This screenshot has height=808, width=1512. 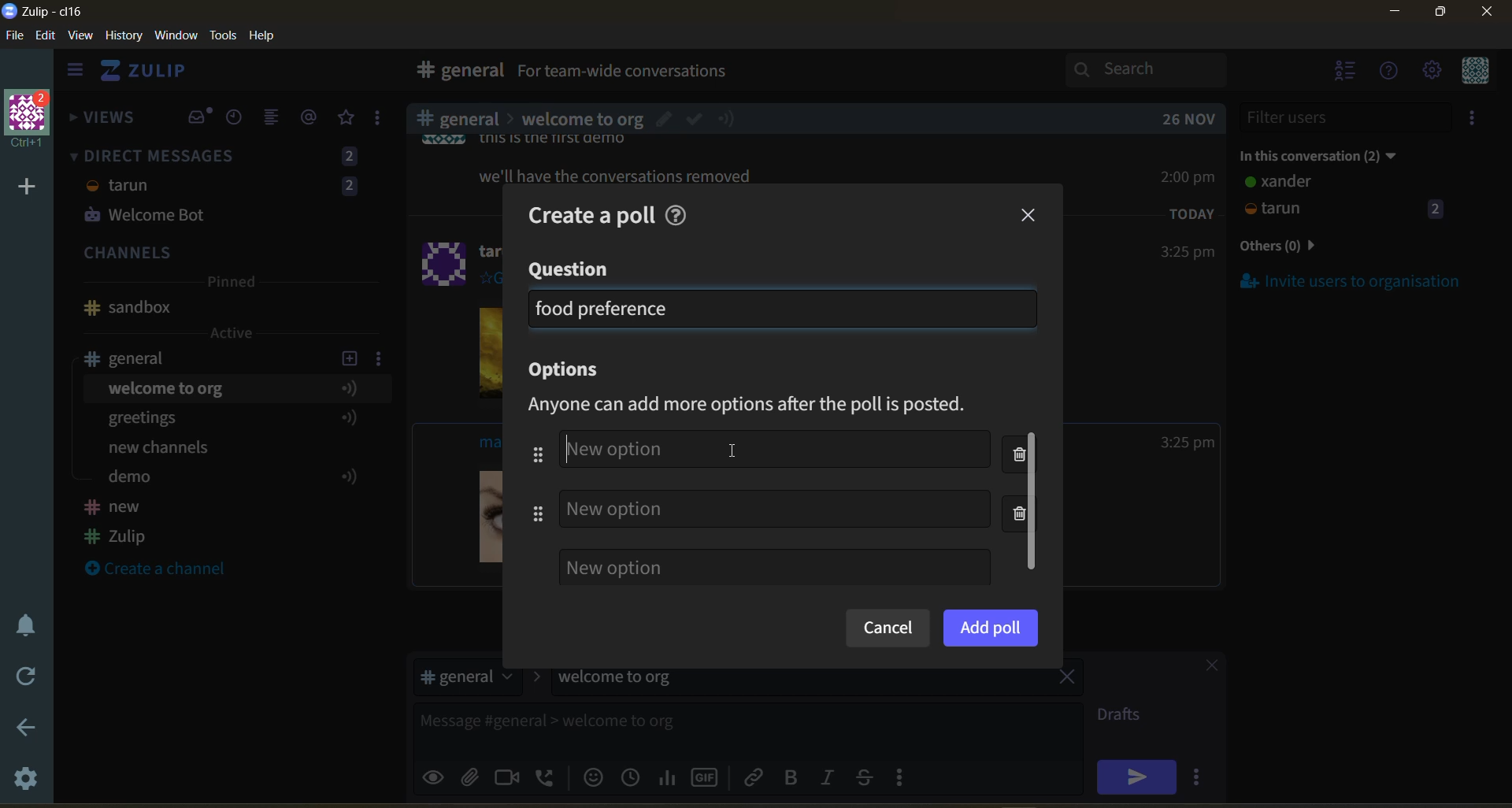 What do you see at coordinates (584, 212) in the screenshot?
I see `create a poll` at bounding box center [584, 212].